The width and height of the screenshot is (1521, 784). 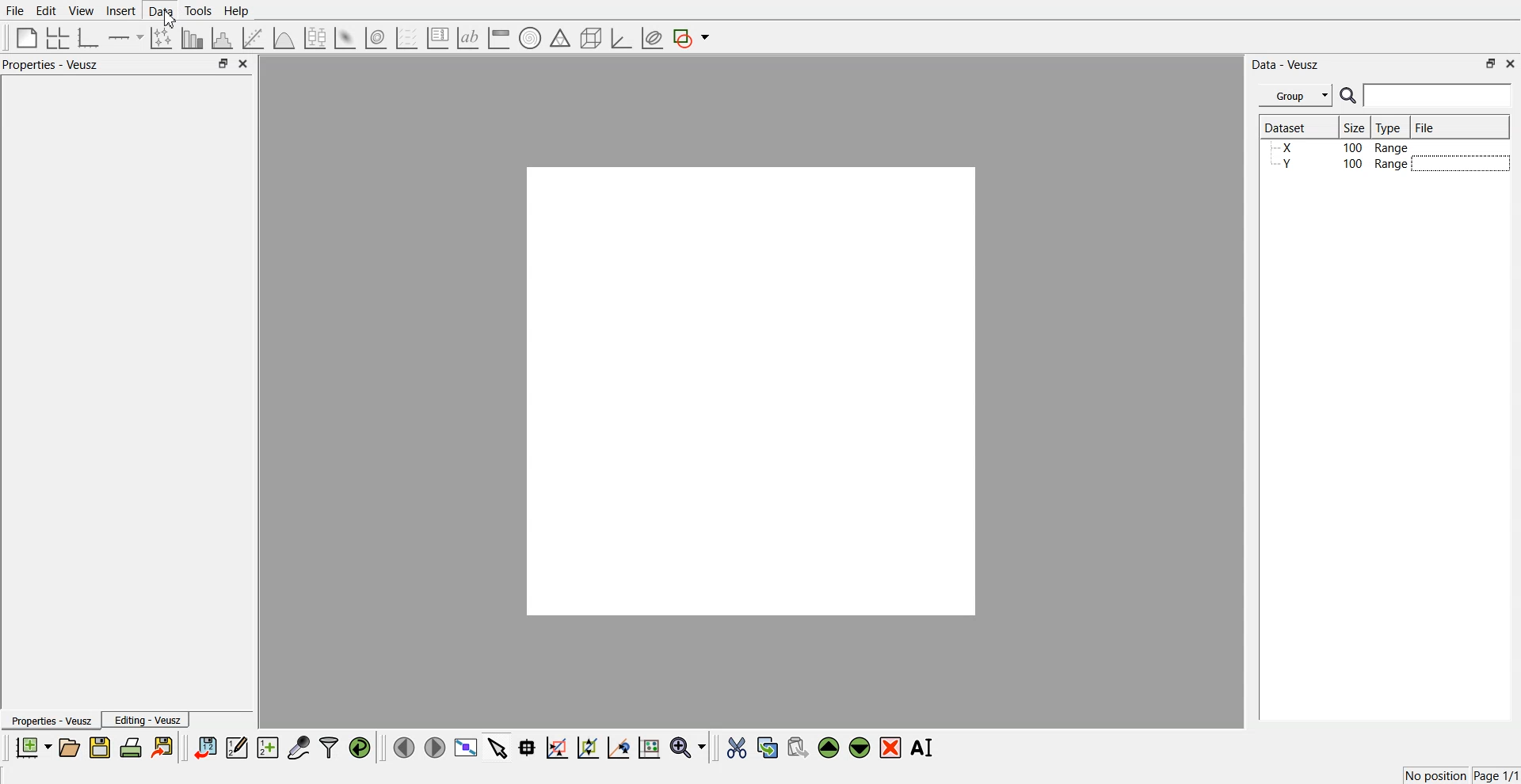 I want to click on Close, so click(x=244, y=63).